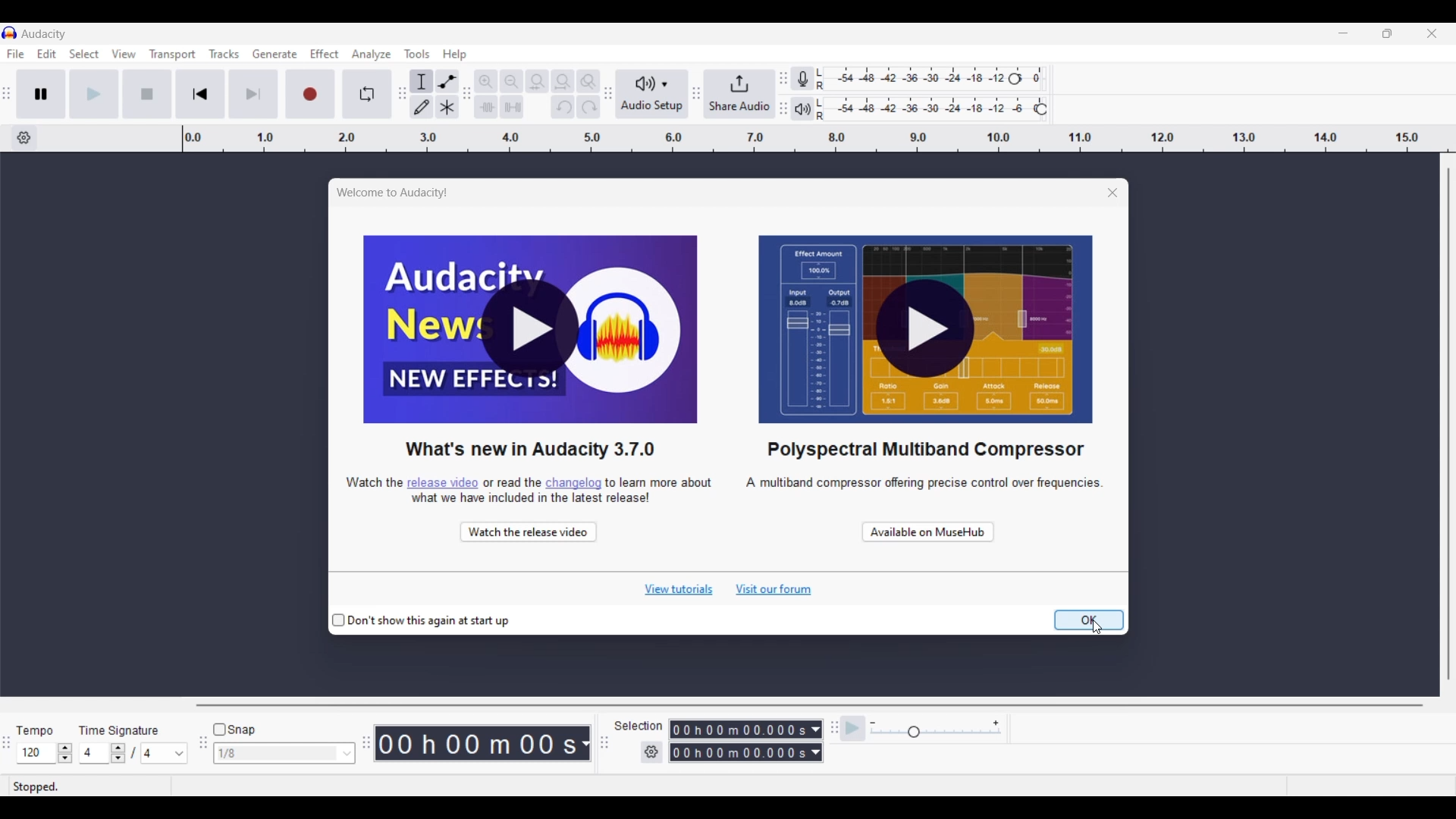 This screenshot has width=1456, height=819. What do you see at coordinates (399, 95) in the screenshot?
I see `toolbar` at bounding box center [399, 95].